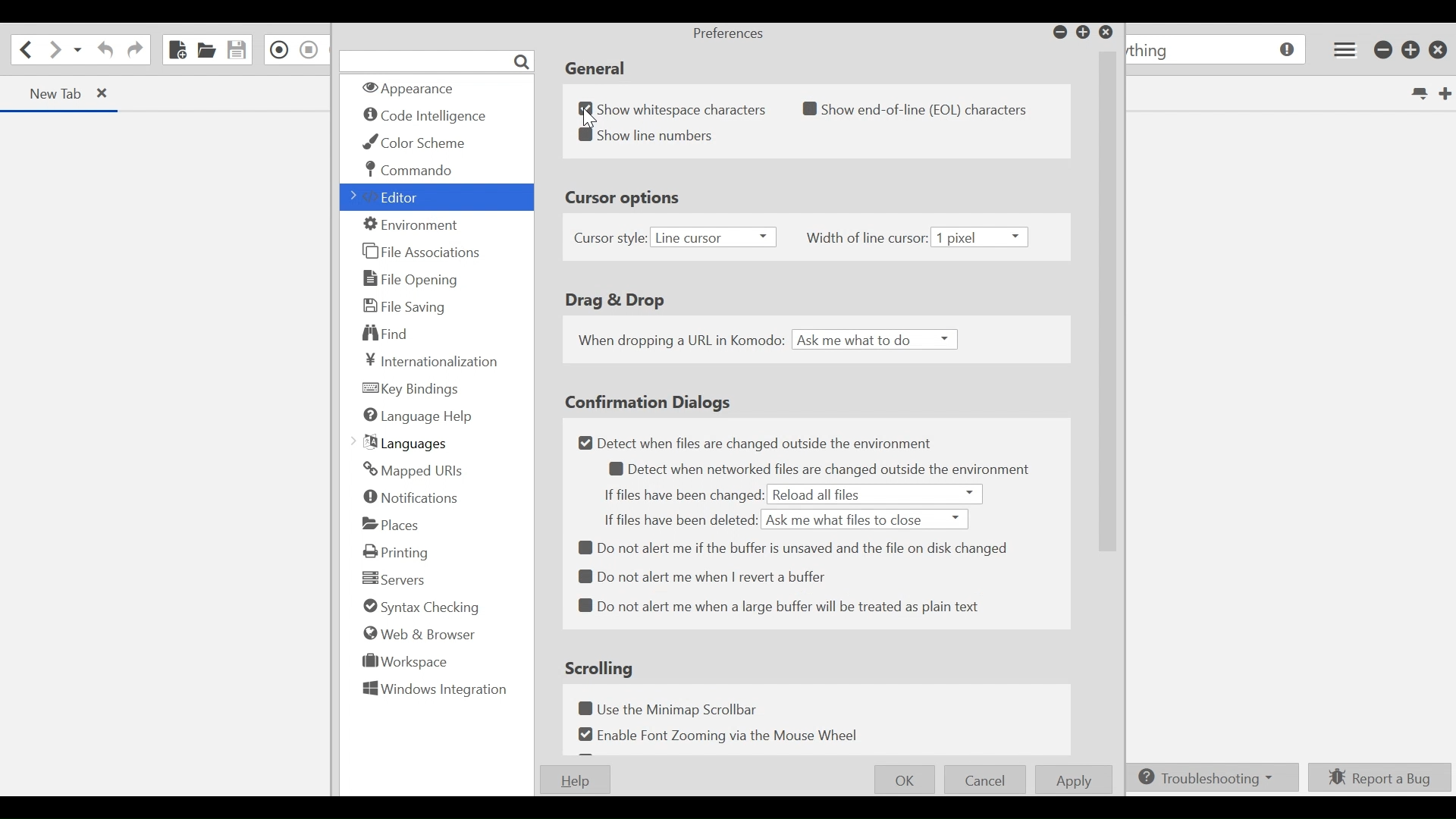 The height and width of the screenshot is (819, 1456). What do you see at coordinates (389, 197) in the screenshot?
I see `Editor` at bounding box center [389, 197].